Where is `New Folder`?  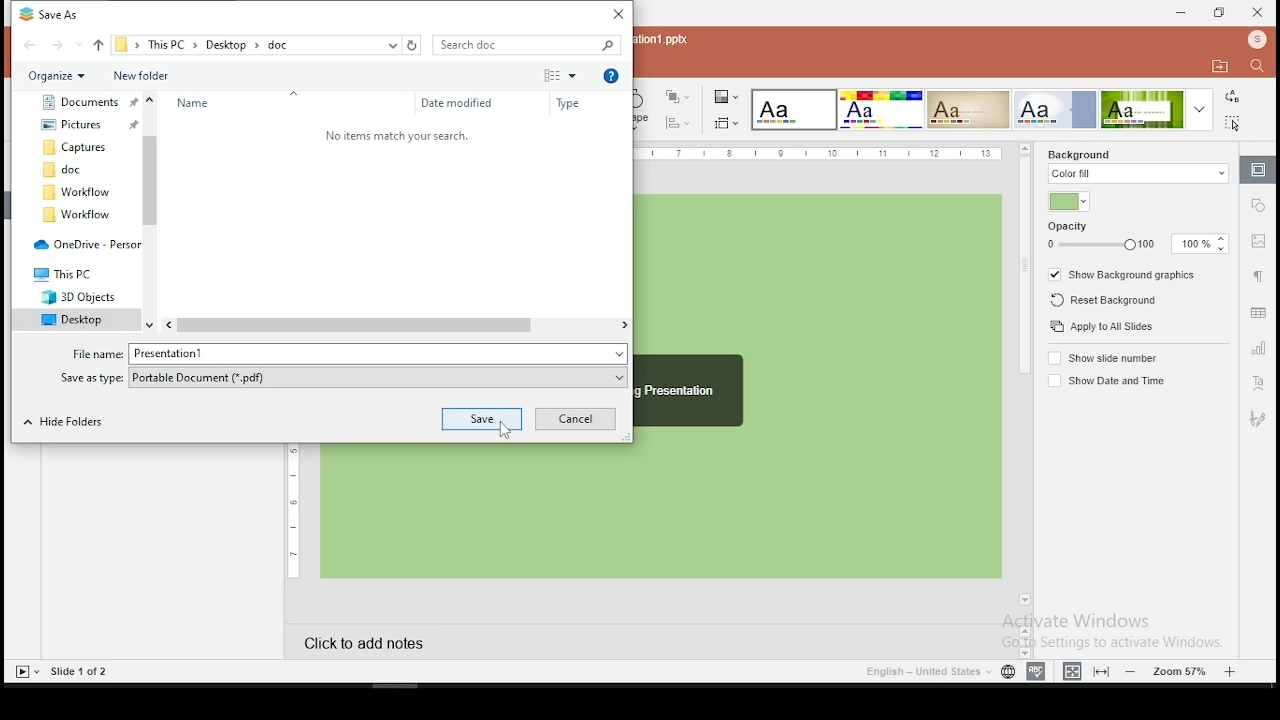 New Folder is located at coordinates (166, 75).